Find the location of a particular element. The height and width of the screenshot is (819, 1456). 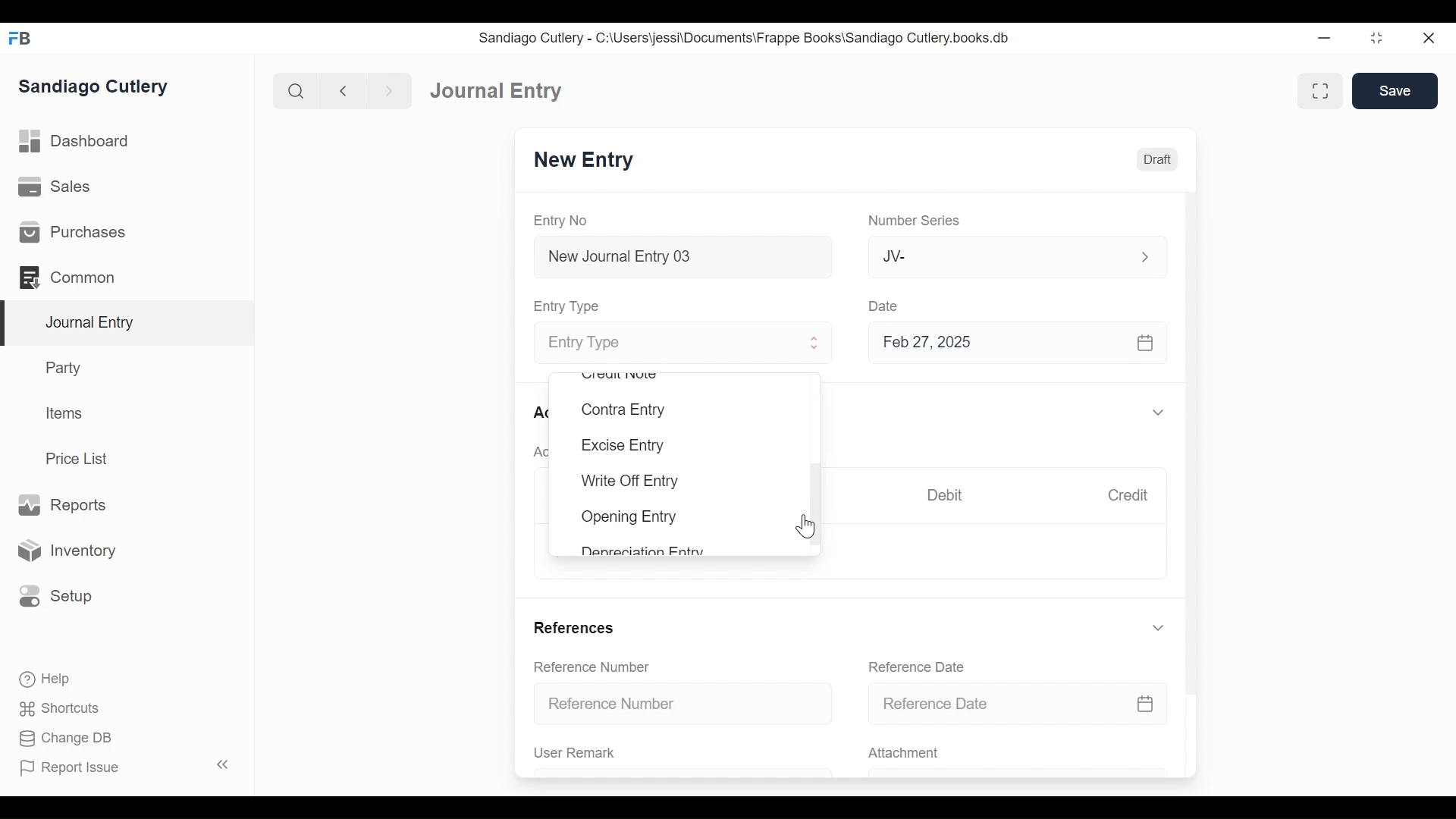

Entry Type is located at coordinates (663, 343).